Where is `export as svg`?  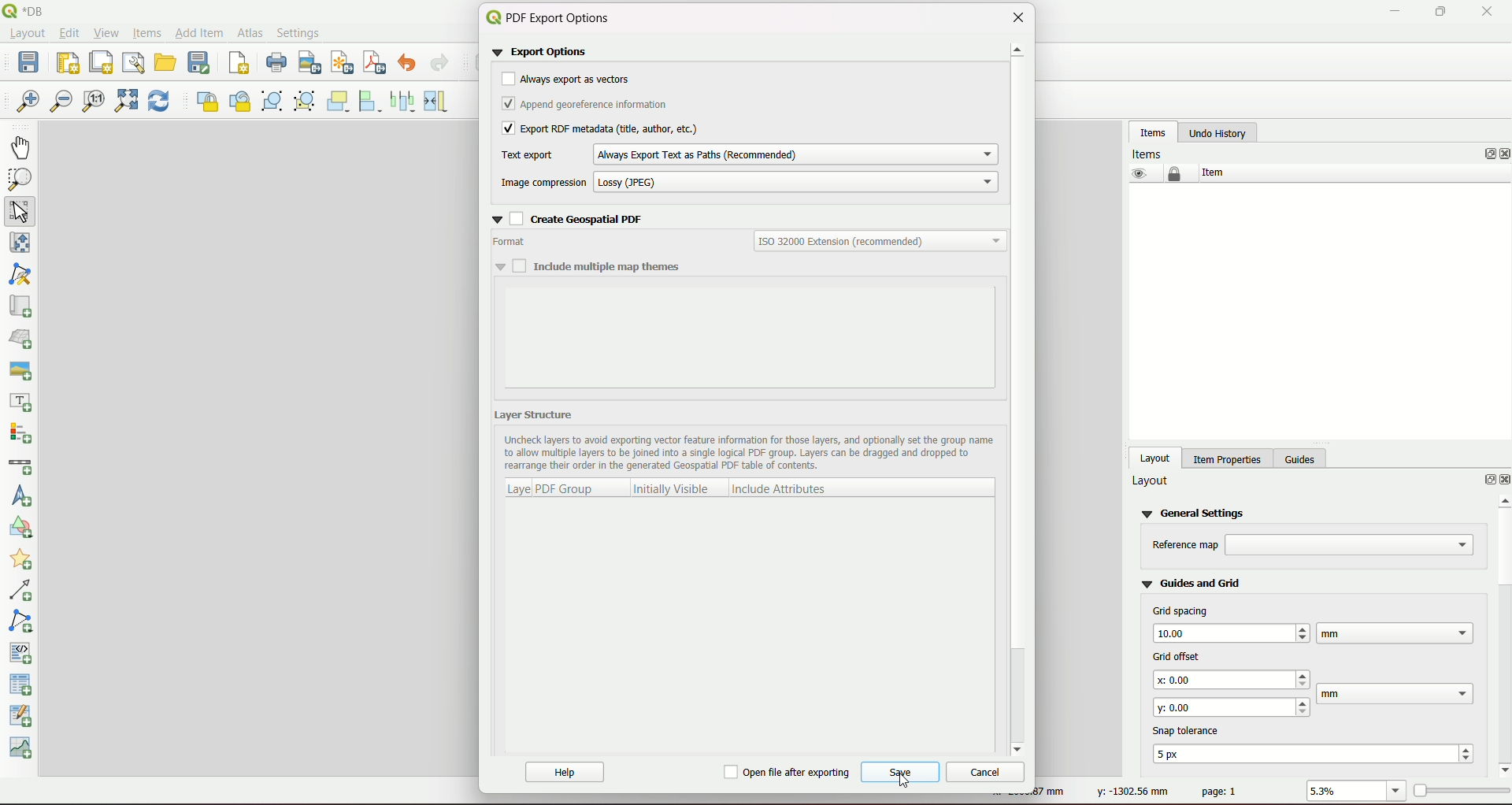 export as svg is located at coordinates (340, 62).